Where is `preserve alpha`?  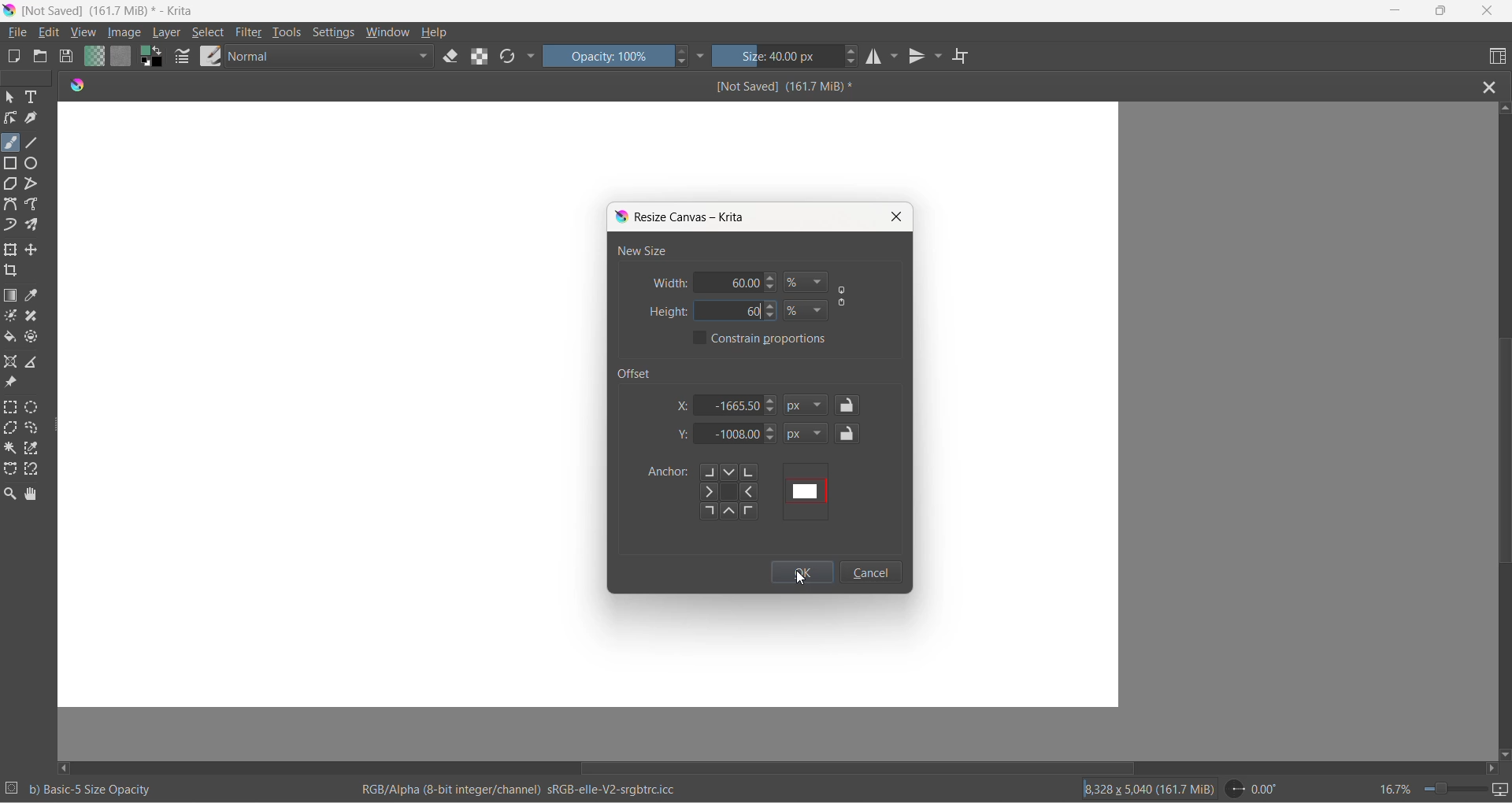 preserve alpha is located at coordinates (483, 56).